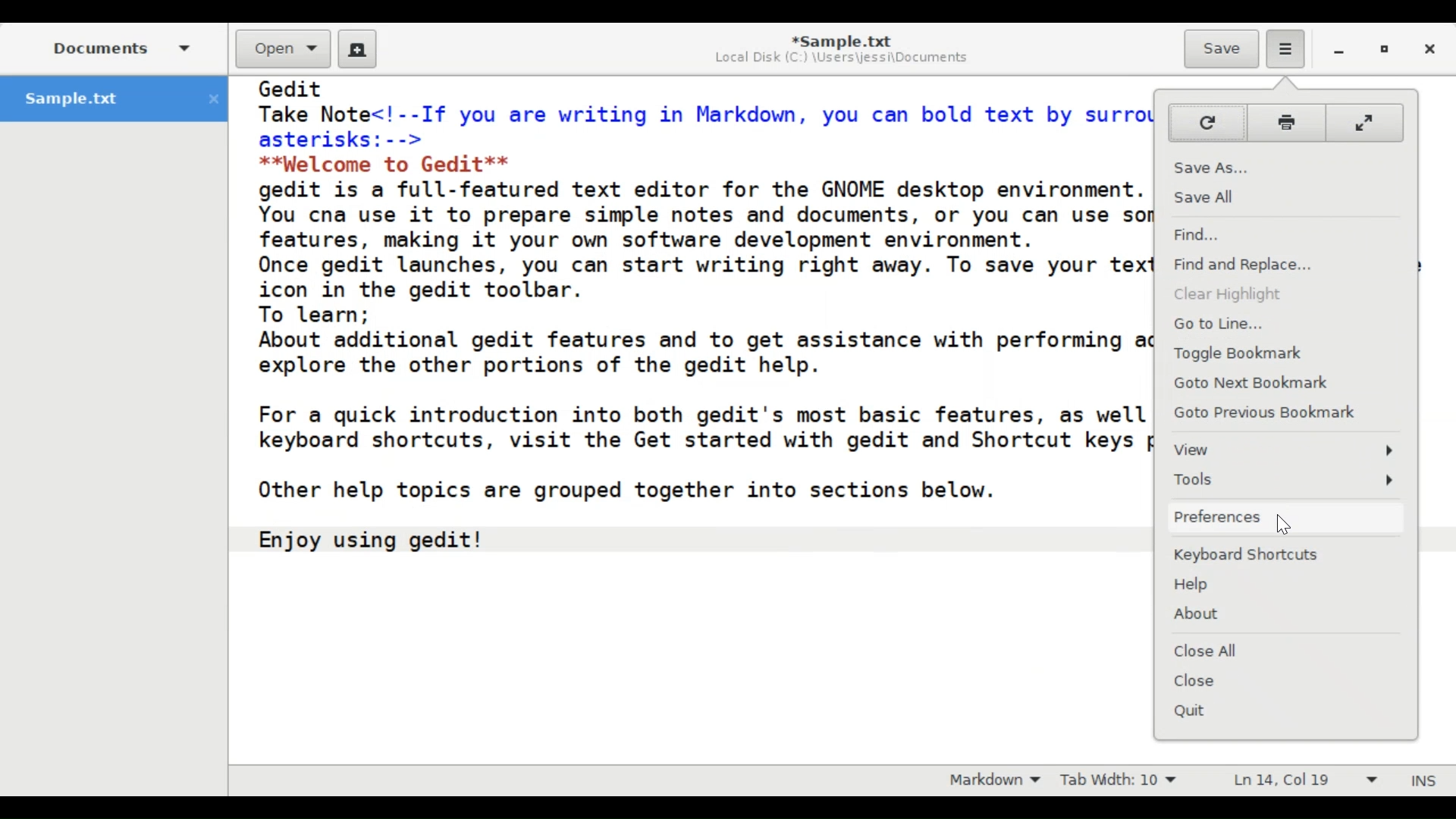 Image resolution: width=1456 pixels, height=819 pixels. What do you see at coordinates (995, 780) in the screenshot?
I see `Highlight Mode: Markdown` at bounding box center [995, 780].